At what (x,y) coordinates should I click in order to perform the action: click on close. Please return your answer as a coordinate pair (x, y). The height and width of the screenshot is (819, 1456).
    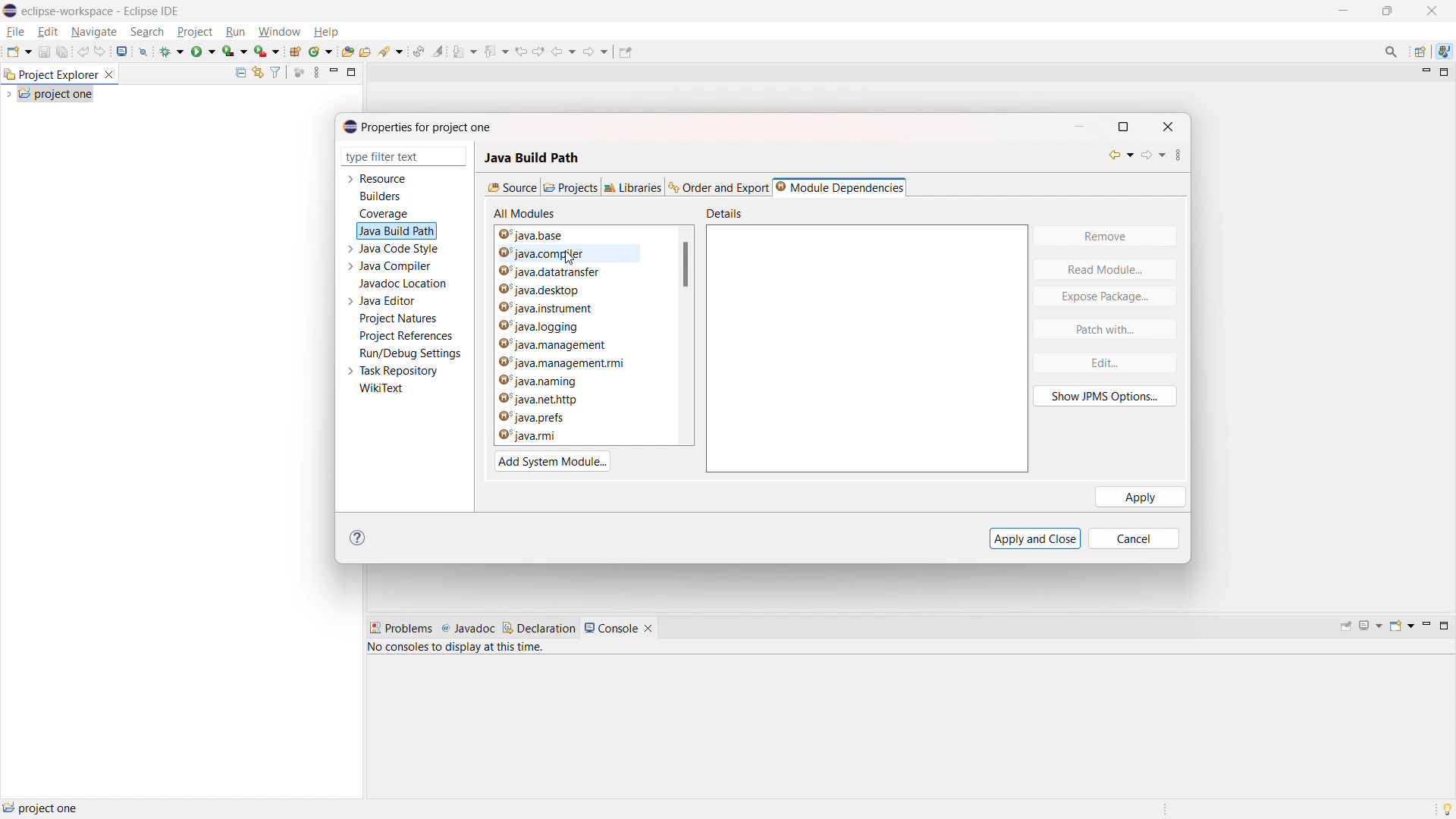
    Looking at the image, I should click on (1432, 11).